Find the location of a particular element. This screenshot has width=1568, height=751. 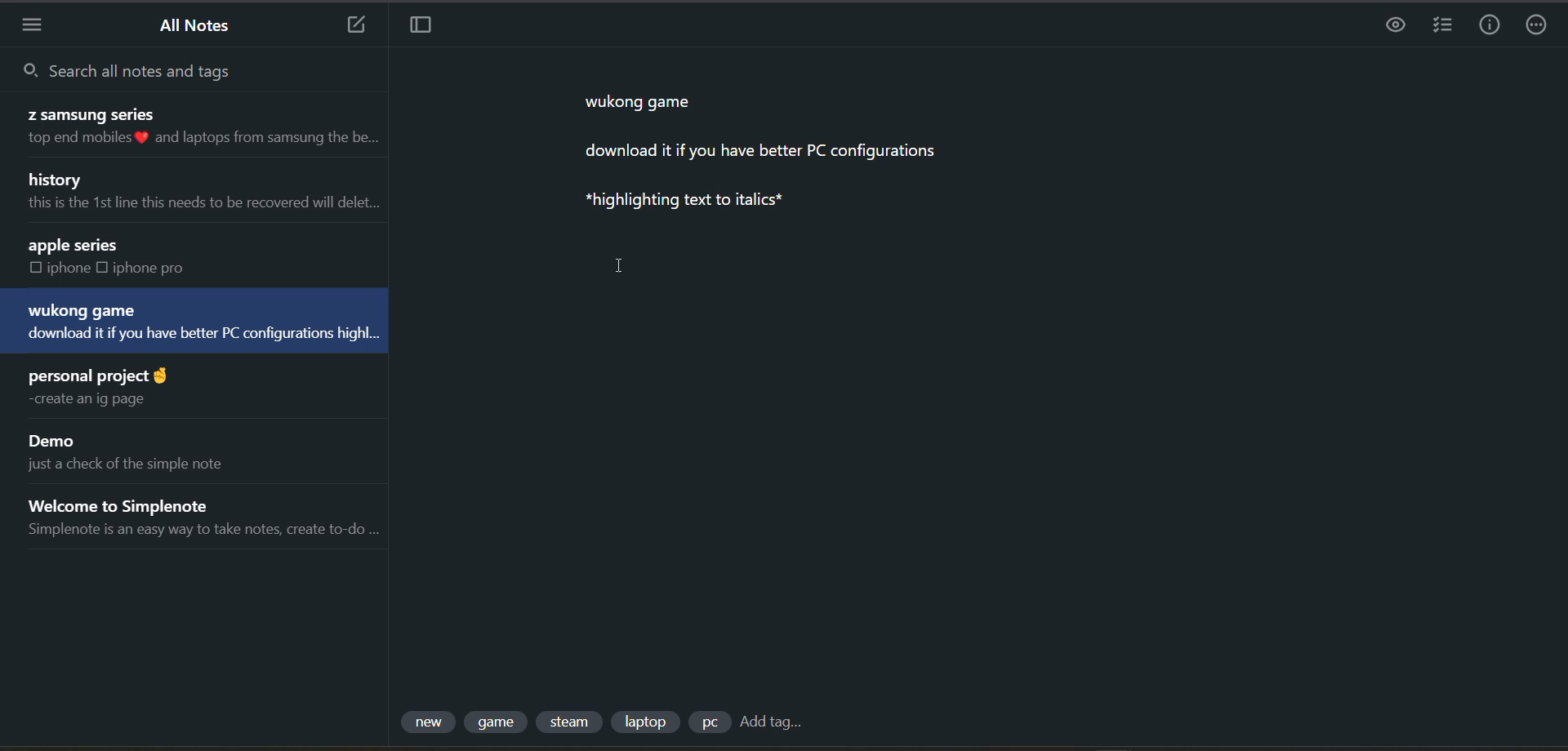

cursor is located at coordinates (622, 263).